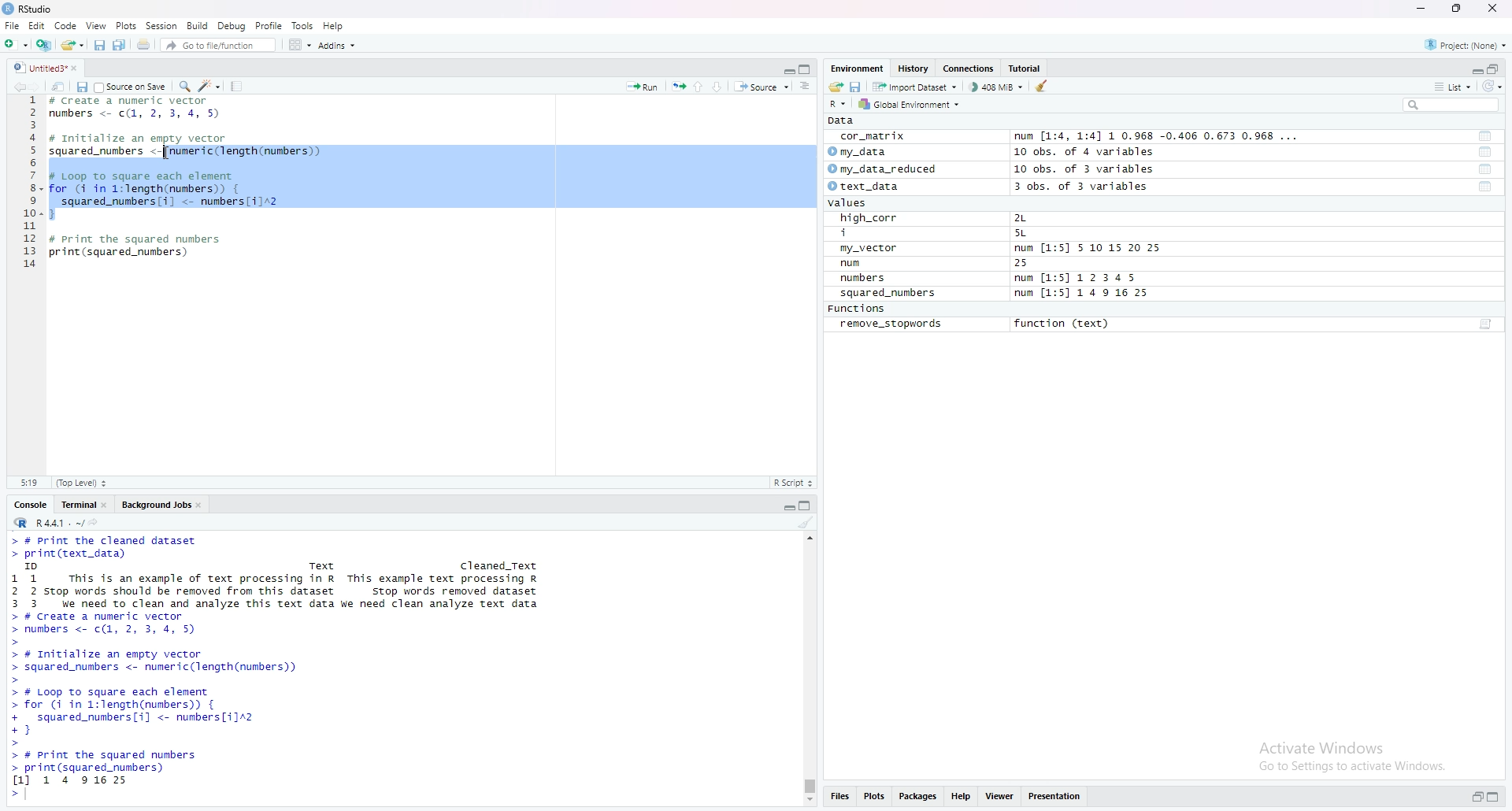  What do you see at coordinates (808, 802) in the screenshot?
I see `scrollbar down` at bounding box center [808, 802].